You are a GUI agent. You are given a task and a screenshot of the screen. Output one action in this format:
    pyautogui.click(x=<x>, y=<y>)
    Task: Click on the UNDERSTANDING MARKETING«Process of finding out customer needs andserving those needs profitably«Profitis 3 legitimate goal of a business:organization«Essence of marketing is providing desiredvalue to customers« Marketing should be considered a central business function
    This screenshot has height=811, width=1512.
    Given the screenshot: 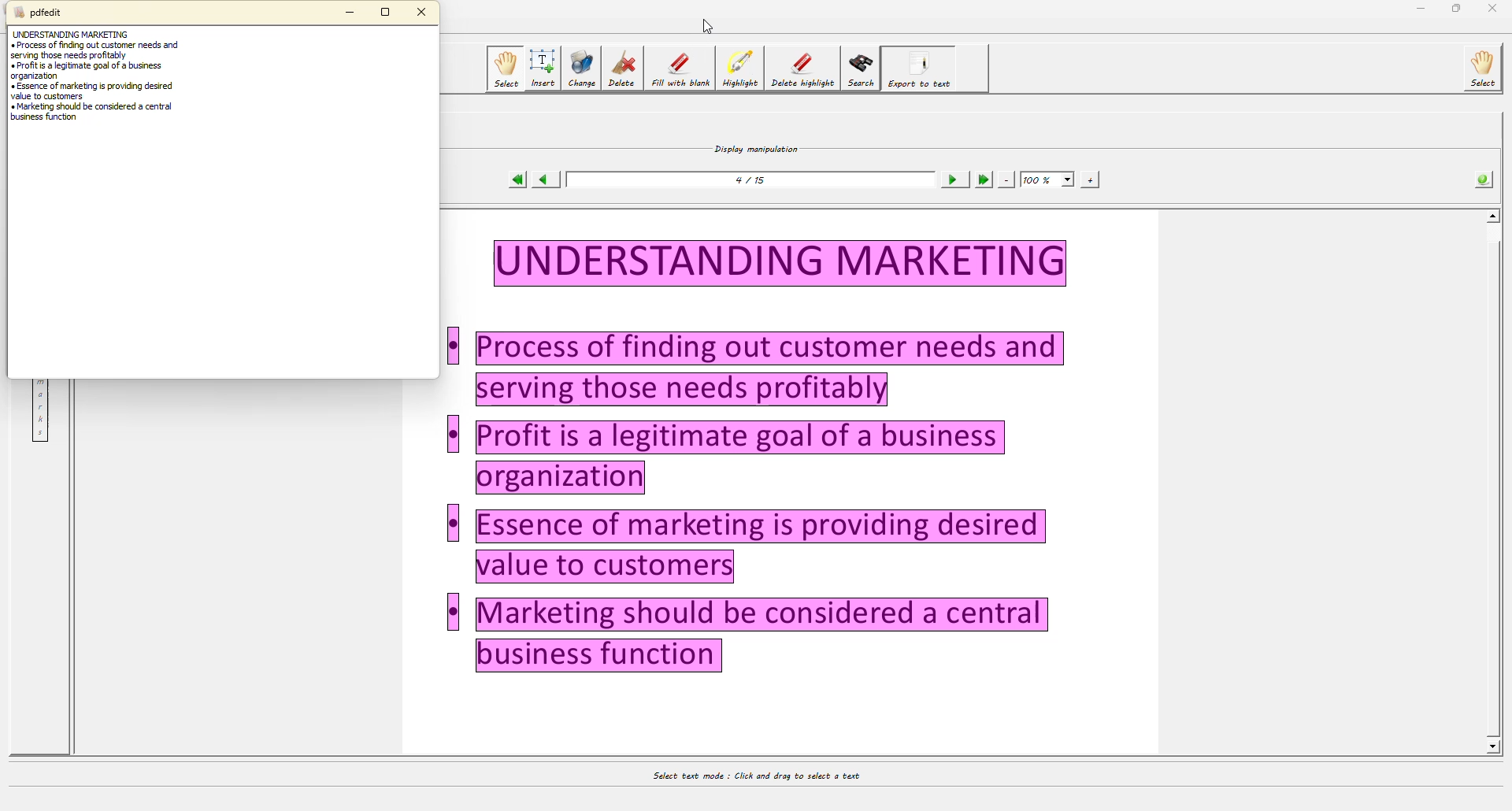 What is the action you would take?
    pyautogui.click(x=106, y=84)
    